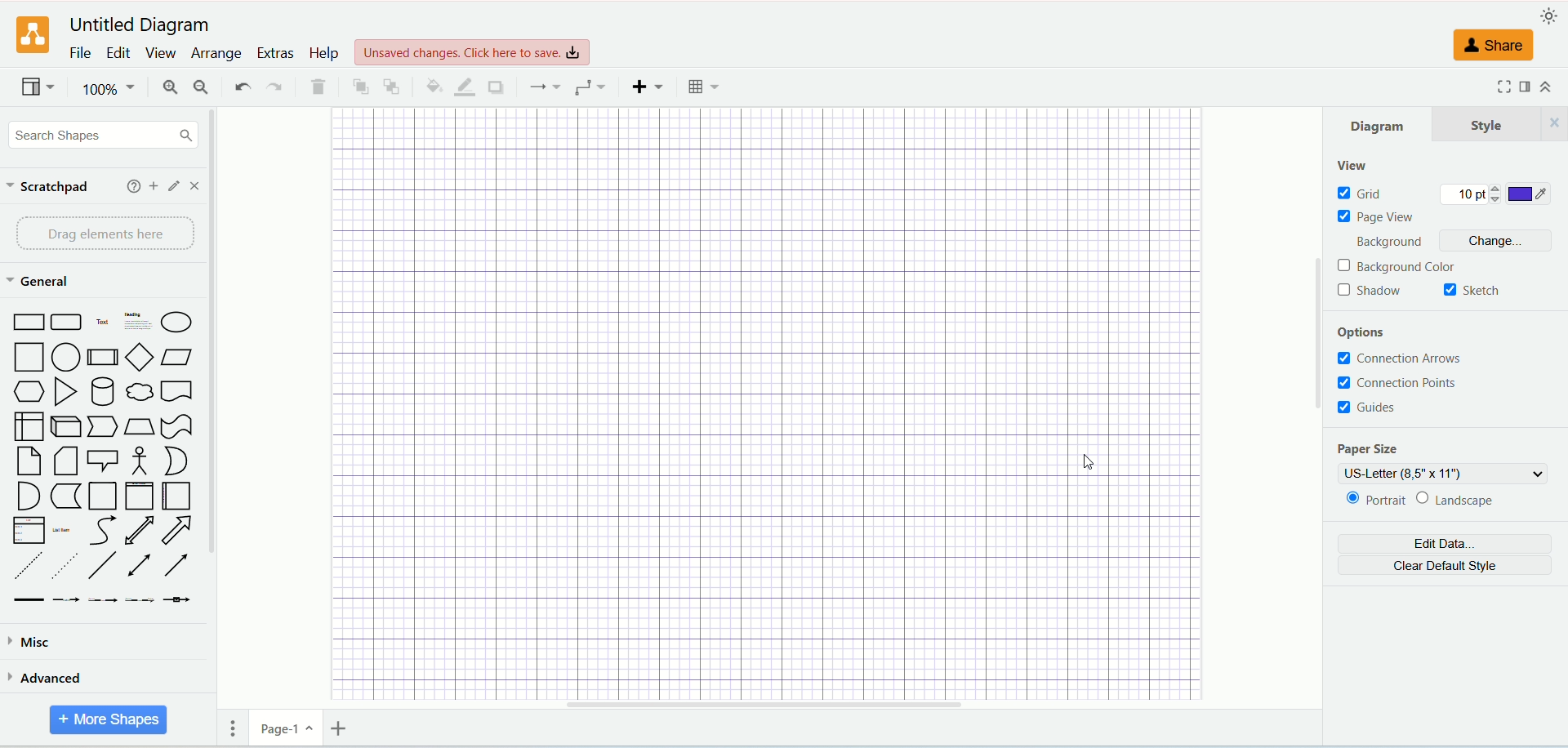 The width and height of the screenshot is (1568, 748). Describe the element at coordinates (545, 87) in the screenshot. I see `connections` at that location.